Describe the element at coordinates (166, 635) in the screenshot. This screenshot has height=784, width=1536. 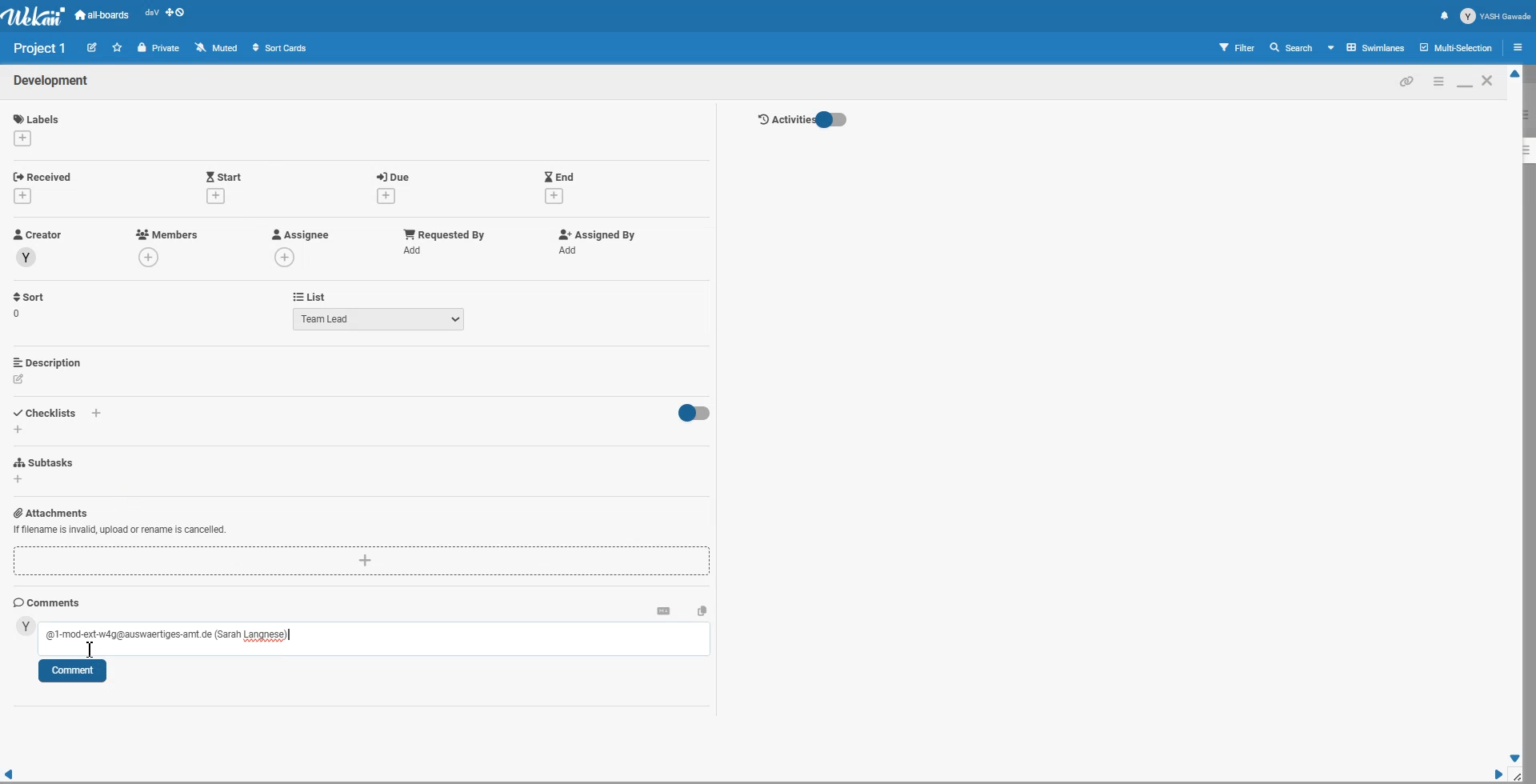
I see `@!-mod-ext-wag@auswaertiges-amt de (Sarah Langnese)` at that location.